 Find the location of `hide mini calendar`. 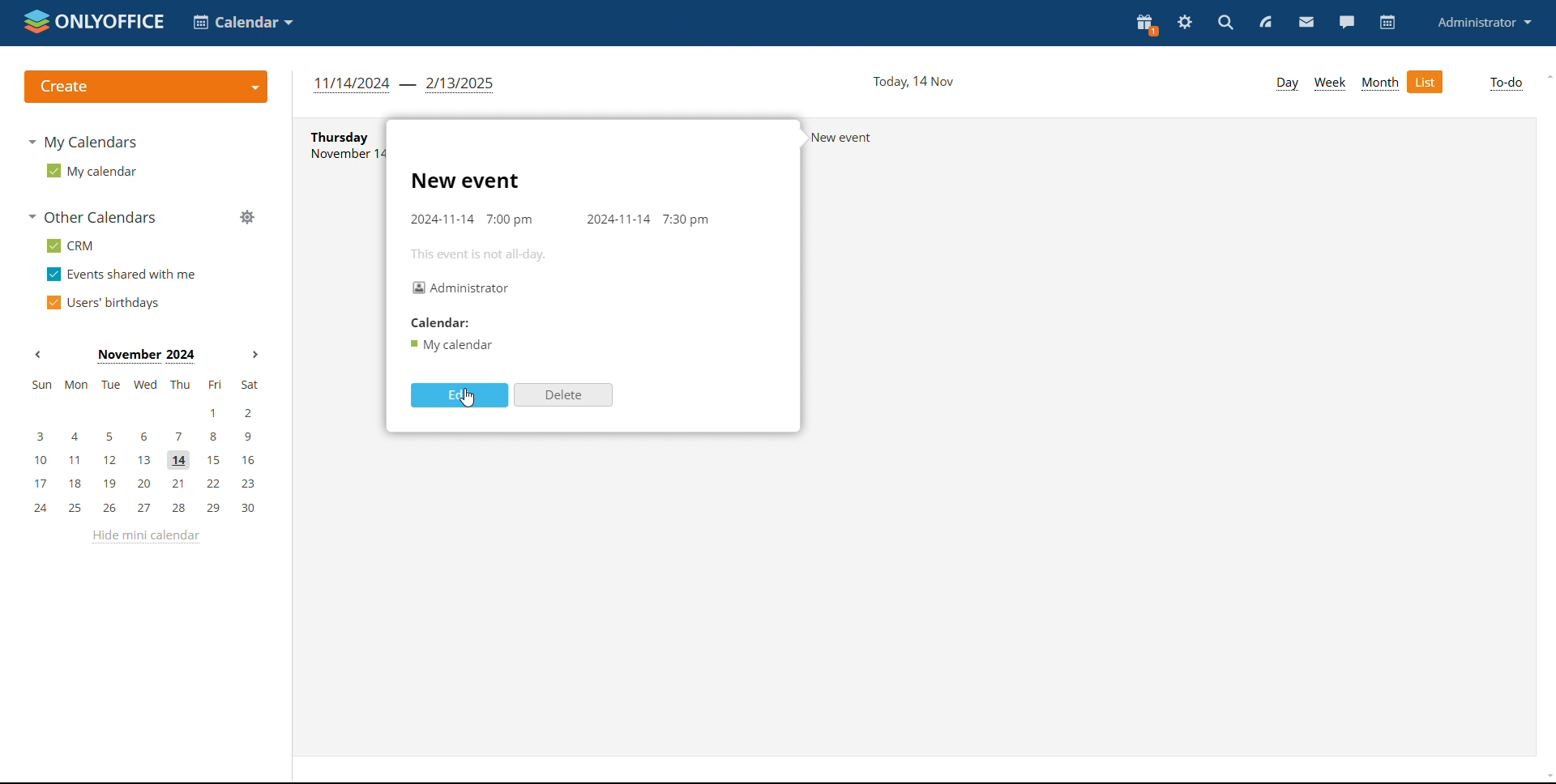

hide mini calendar is located at coordinates (146, 538).